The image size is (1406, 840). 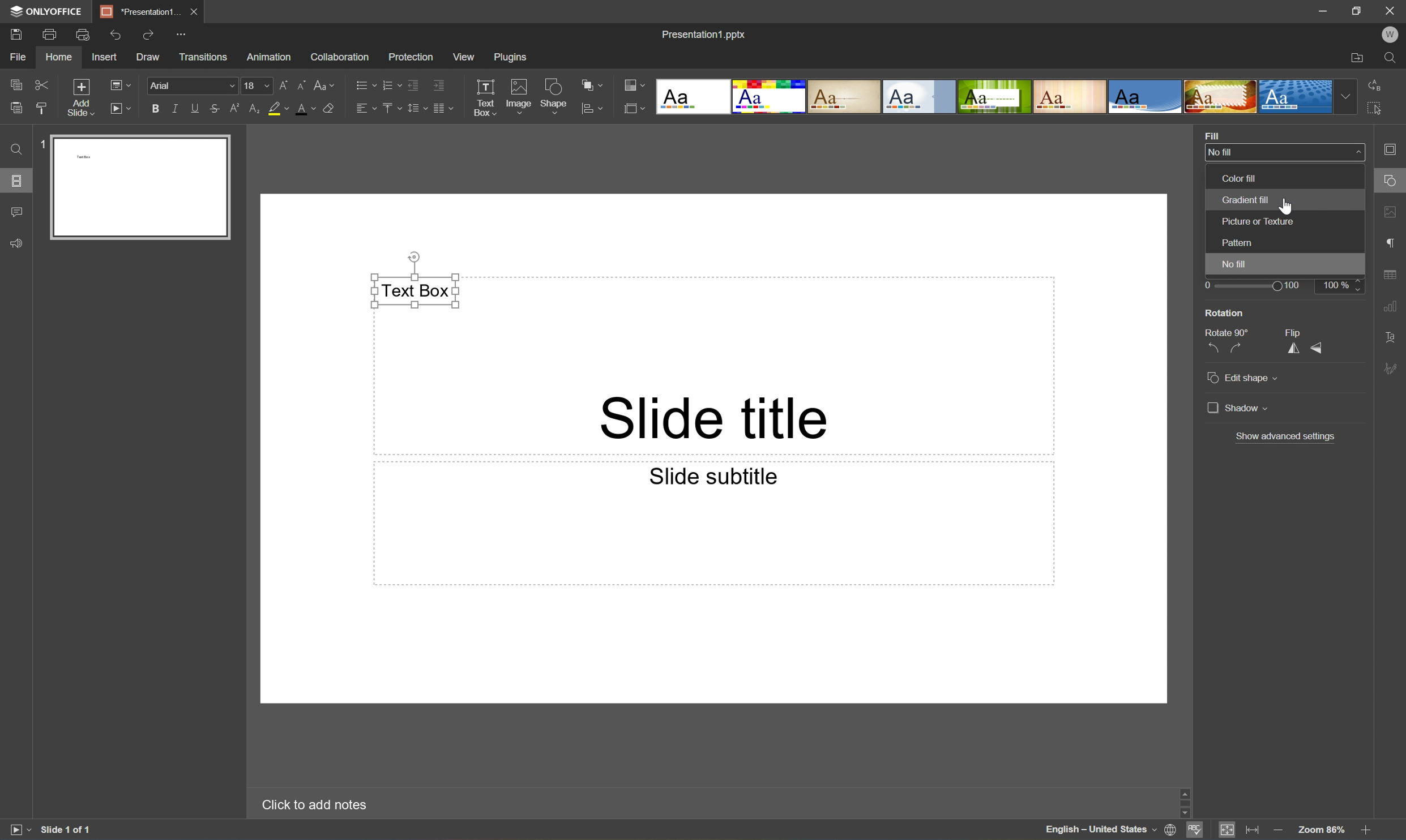 What do you see at coordinates (1242, 376) in the screenshot?
I see `Edit Shape` at bounding box center [1242, 376].